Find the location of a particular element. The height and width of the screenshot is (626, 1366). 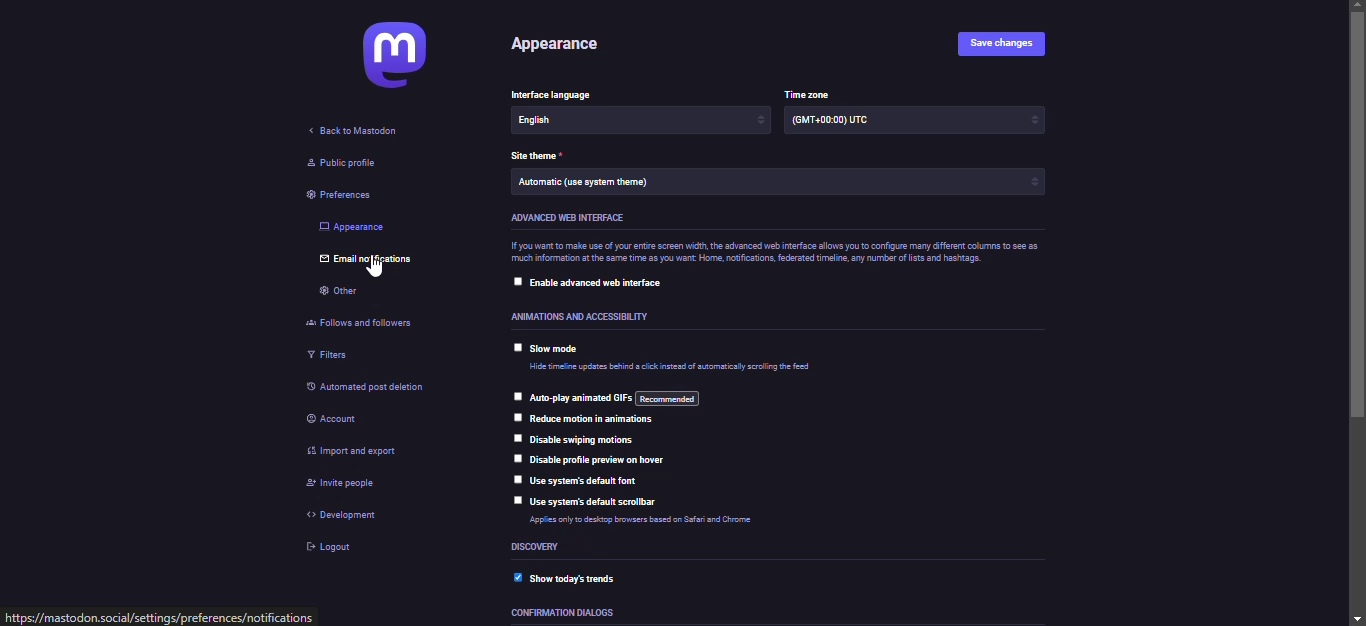

reduce motion in animations is located at coordinates (594, 421).